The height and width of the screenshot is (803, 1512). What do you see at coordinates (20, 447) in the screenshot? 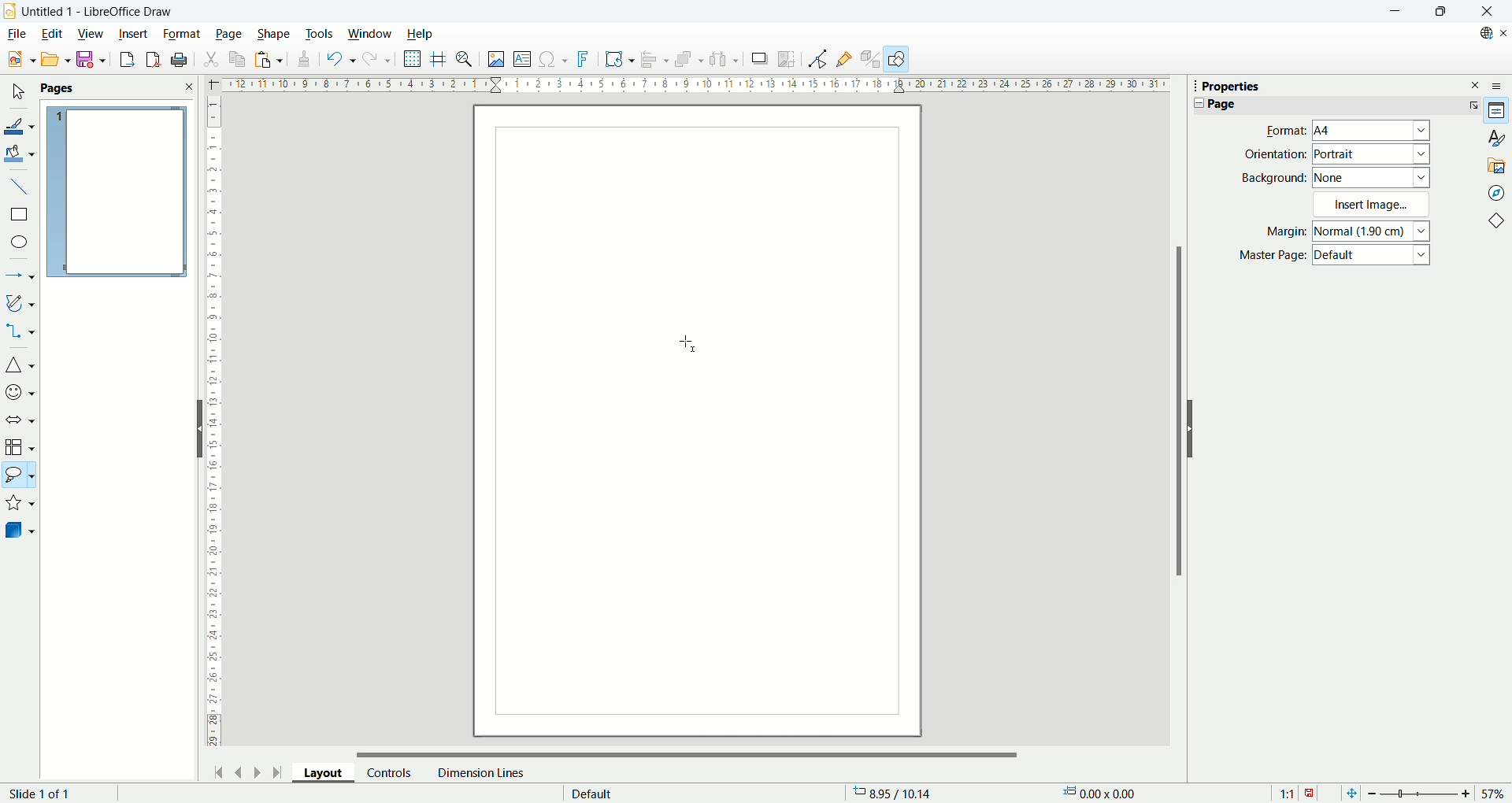
I see `flowchart` at bounding box center [20, 447].